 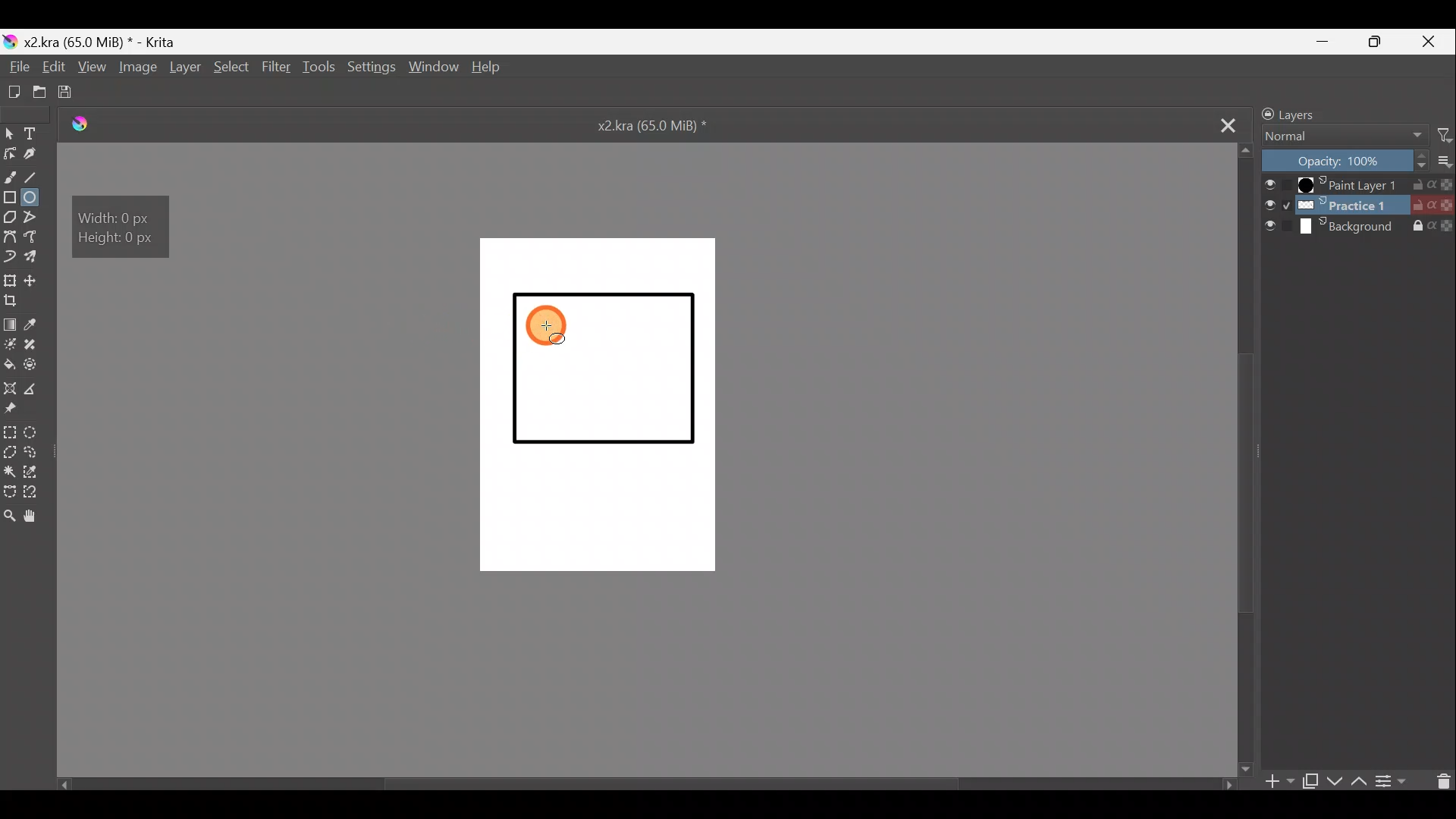 What do you see at coordinates (35, 256) in the screenshot?
I see `Multibrush tool` at bounding box center [35, 256].